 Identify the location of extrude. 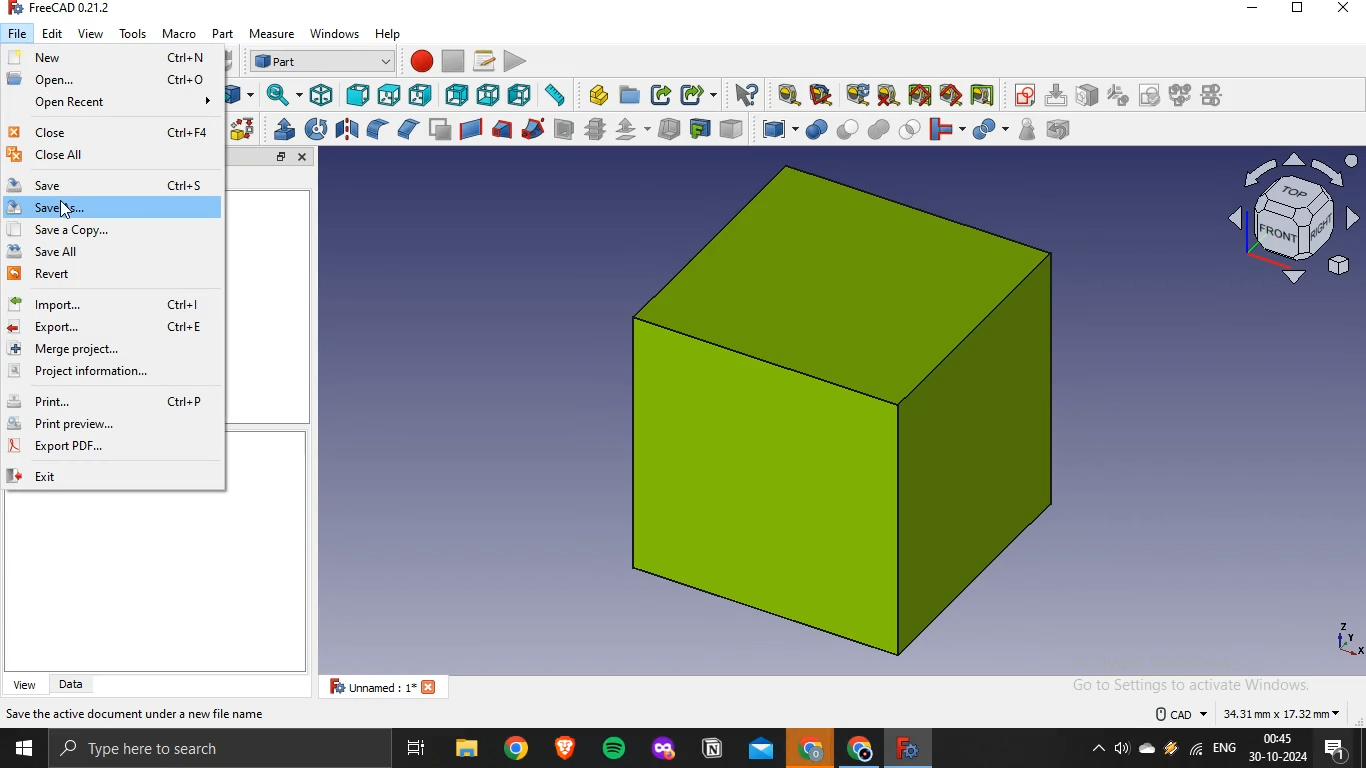
(284, 129).